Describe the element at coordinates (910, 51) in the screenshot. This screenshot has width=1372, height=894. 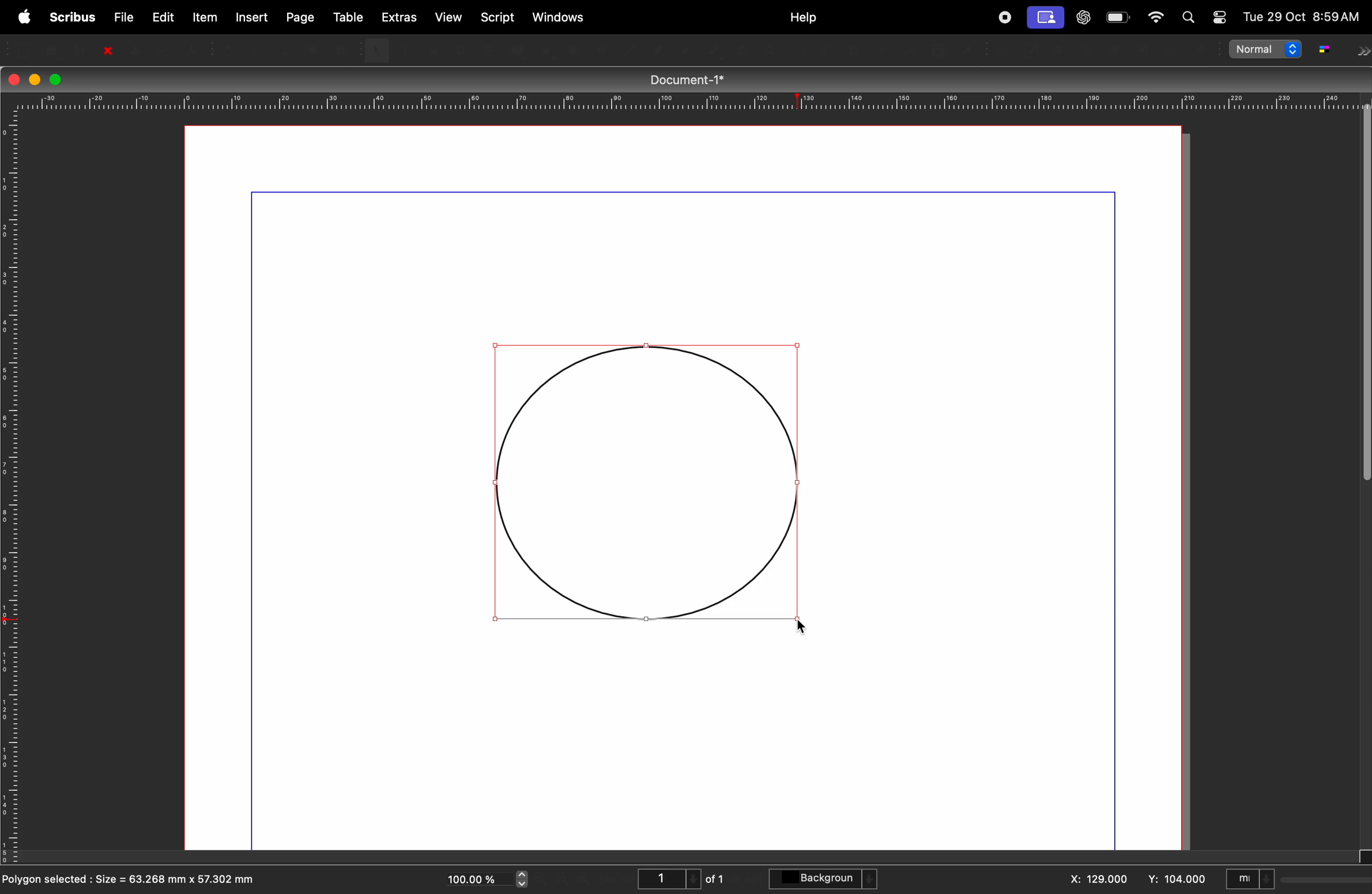
I see `Measurements` at that location.